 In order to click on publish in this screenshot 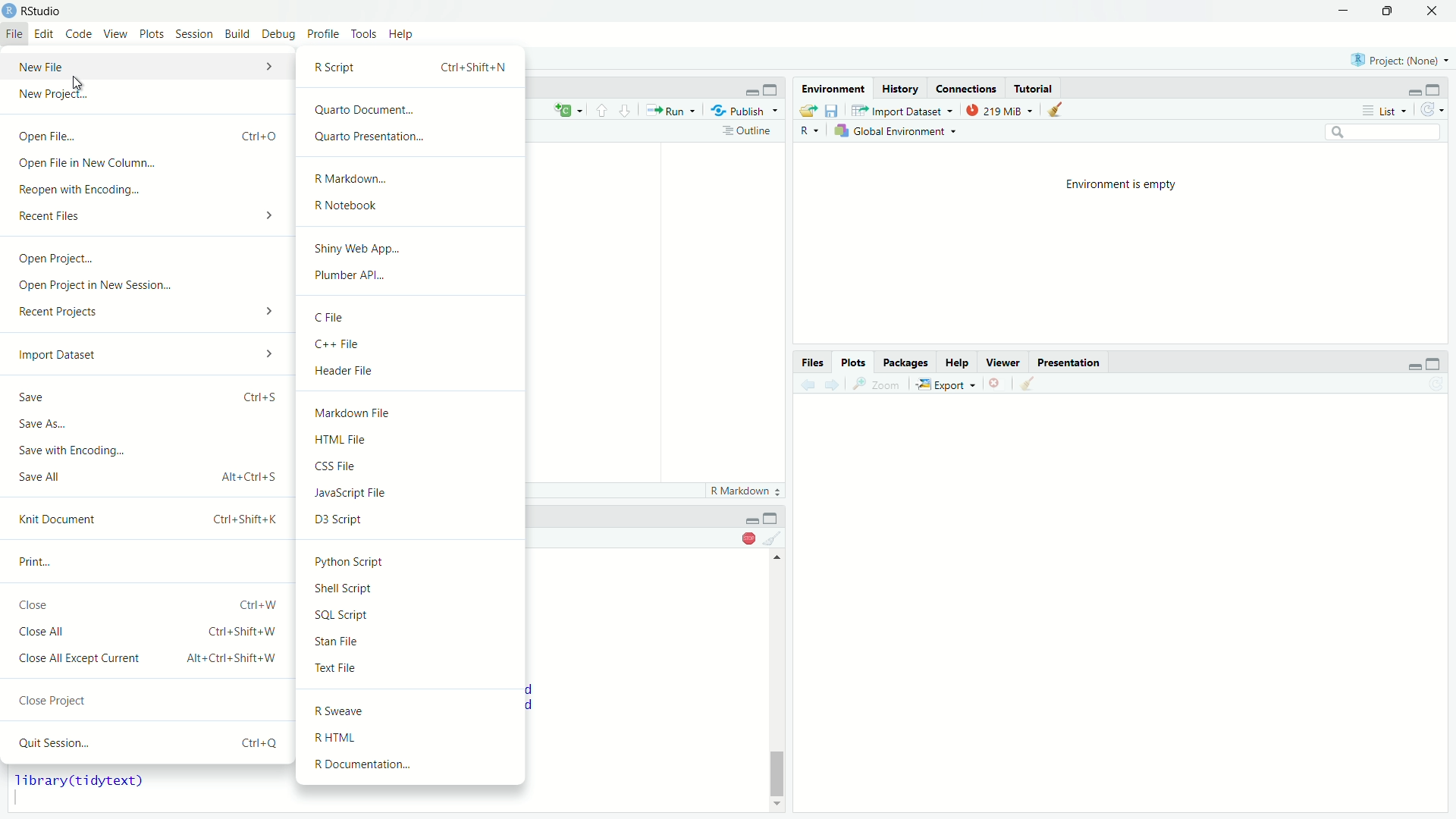, I will do `click(745, 111)`.